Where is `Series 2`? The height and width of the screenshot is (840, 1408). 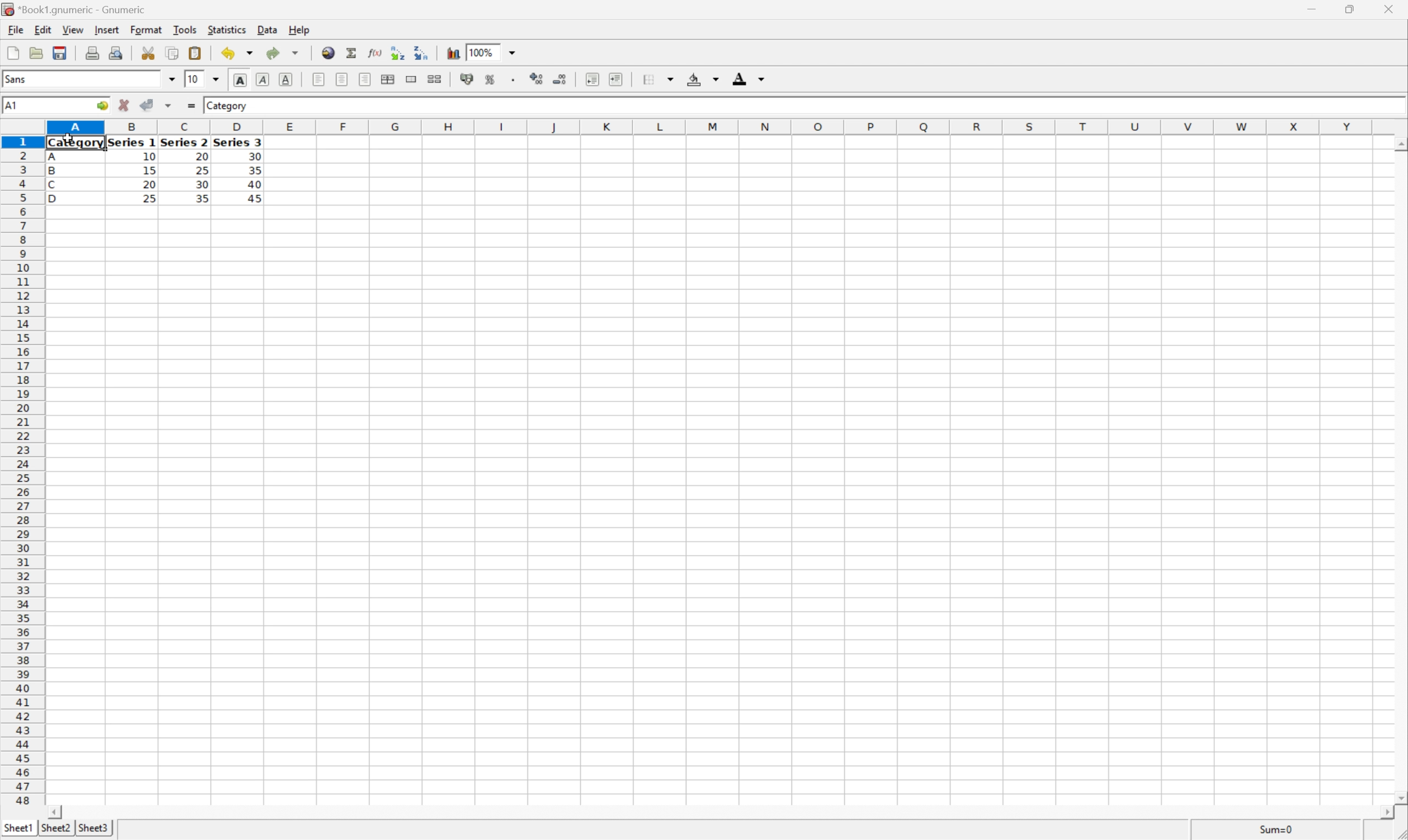
Series 2 is located at coordinates (183, 142).